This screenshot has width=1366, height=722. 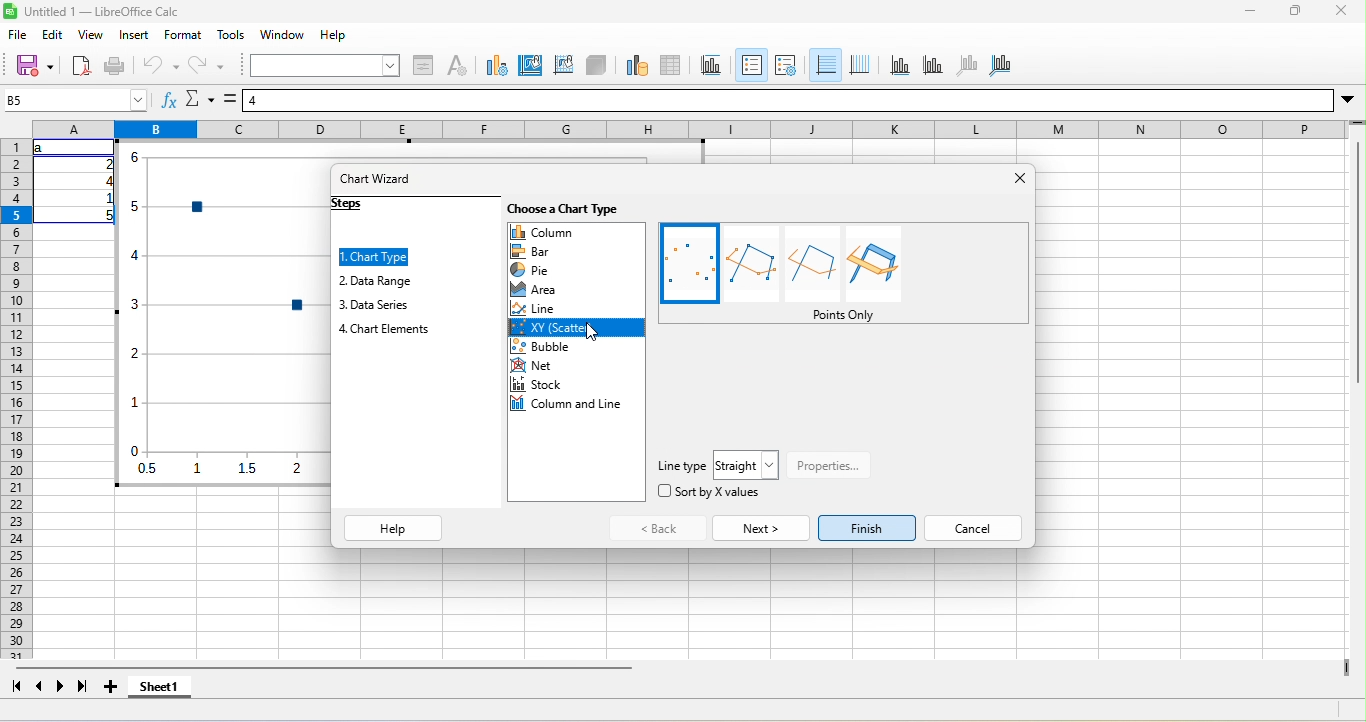 What do you see at coordinates (577, 269) in the screenshot?
I see `pie` at bounding box center [577, 269].